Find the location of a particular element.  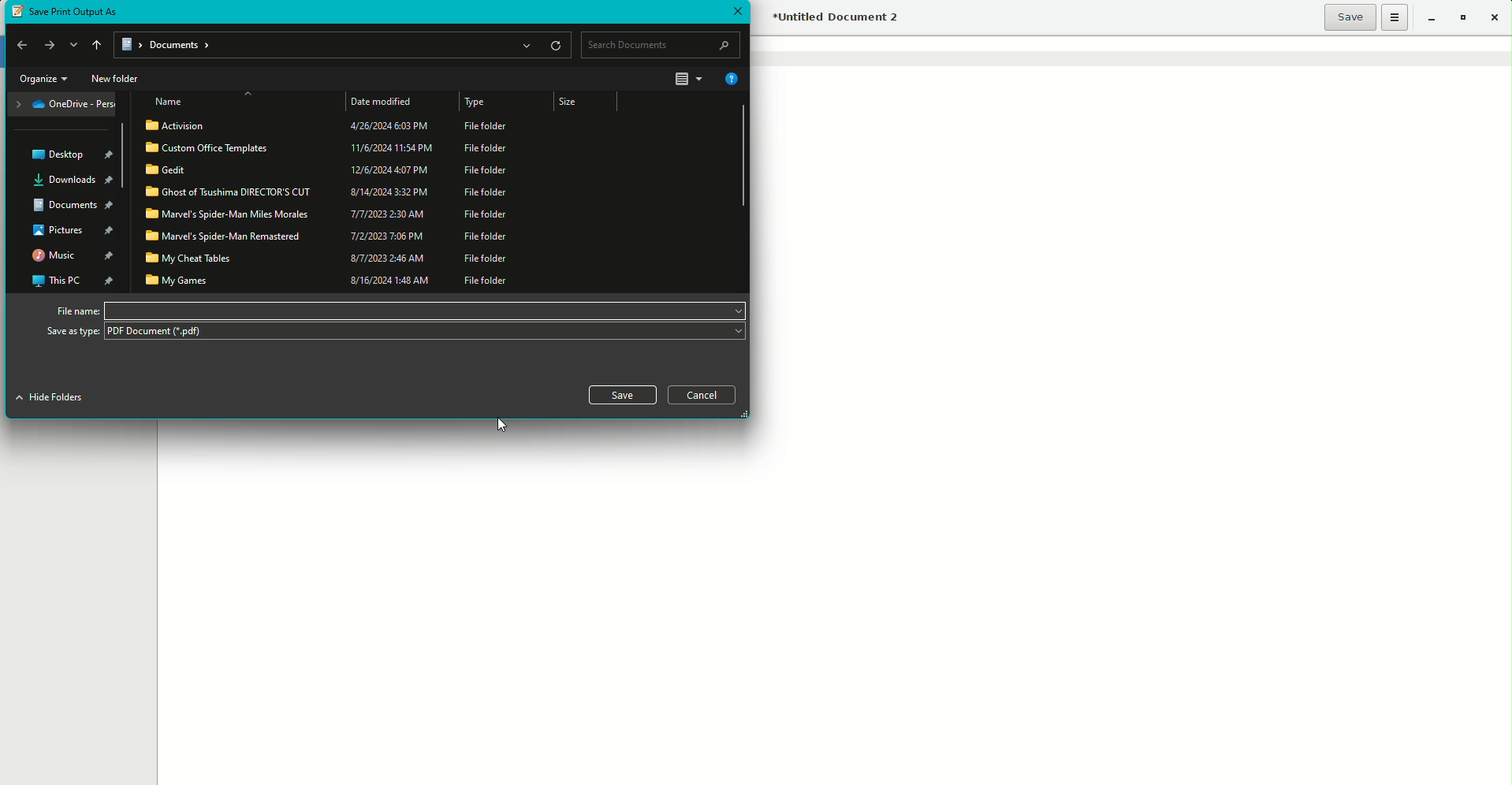

Cursor is located at coordinates (500, 424).